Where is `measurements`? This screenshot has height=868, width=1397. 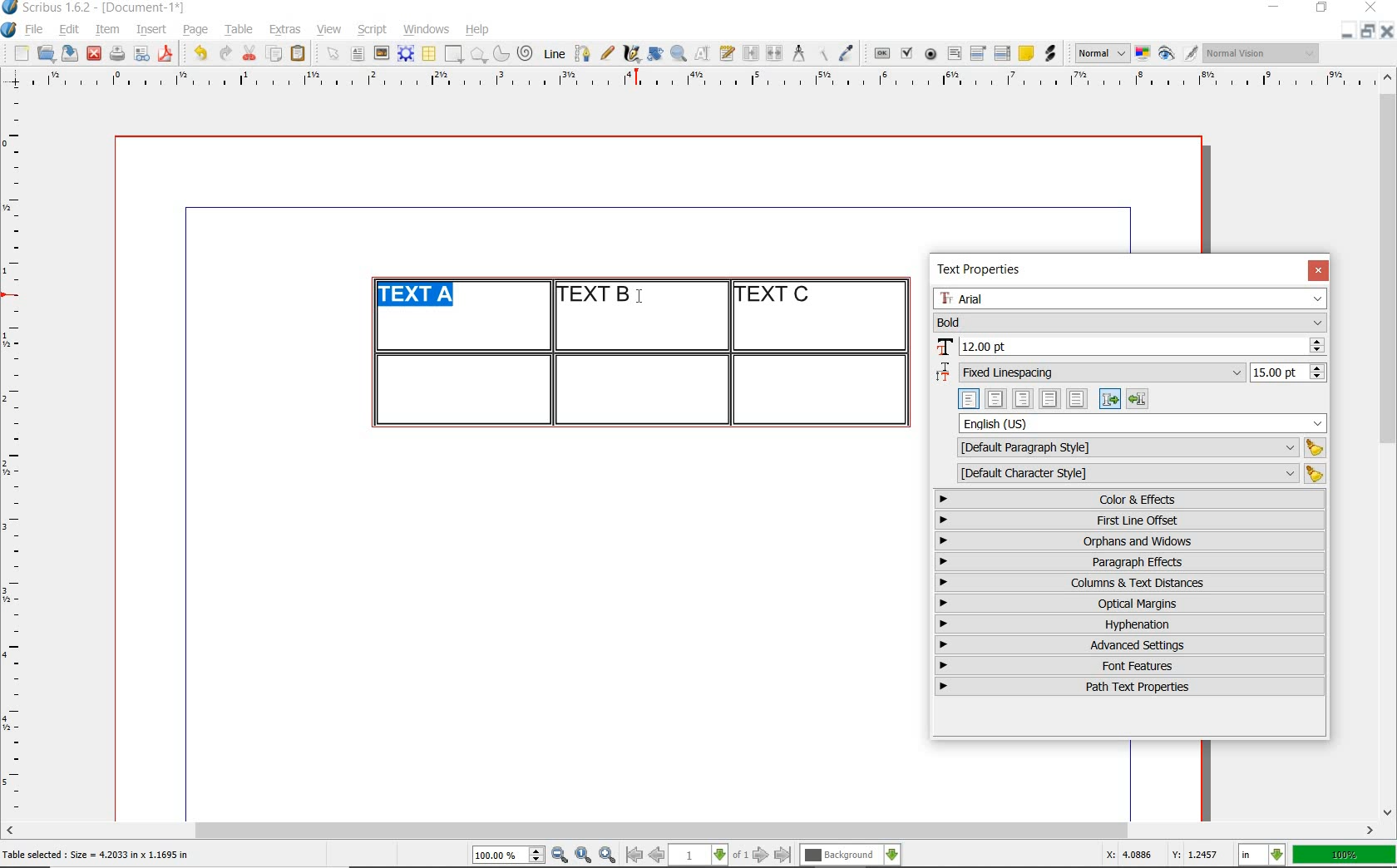
measurements is located at coordinates (798, 54).